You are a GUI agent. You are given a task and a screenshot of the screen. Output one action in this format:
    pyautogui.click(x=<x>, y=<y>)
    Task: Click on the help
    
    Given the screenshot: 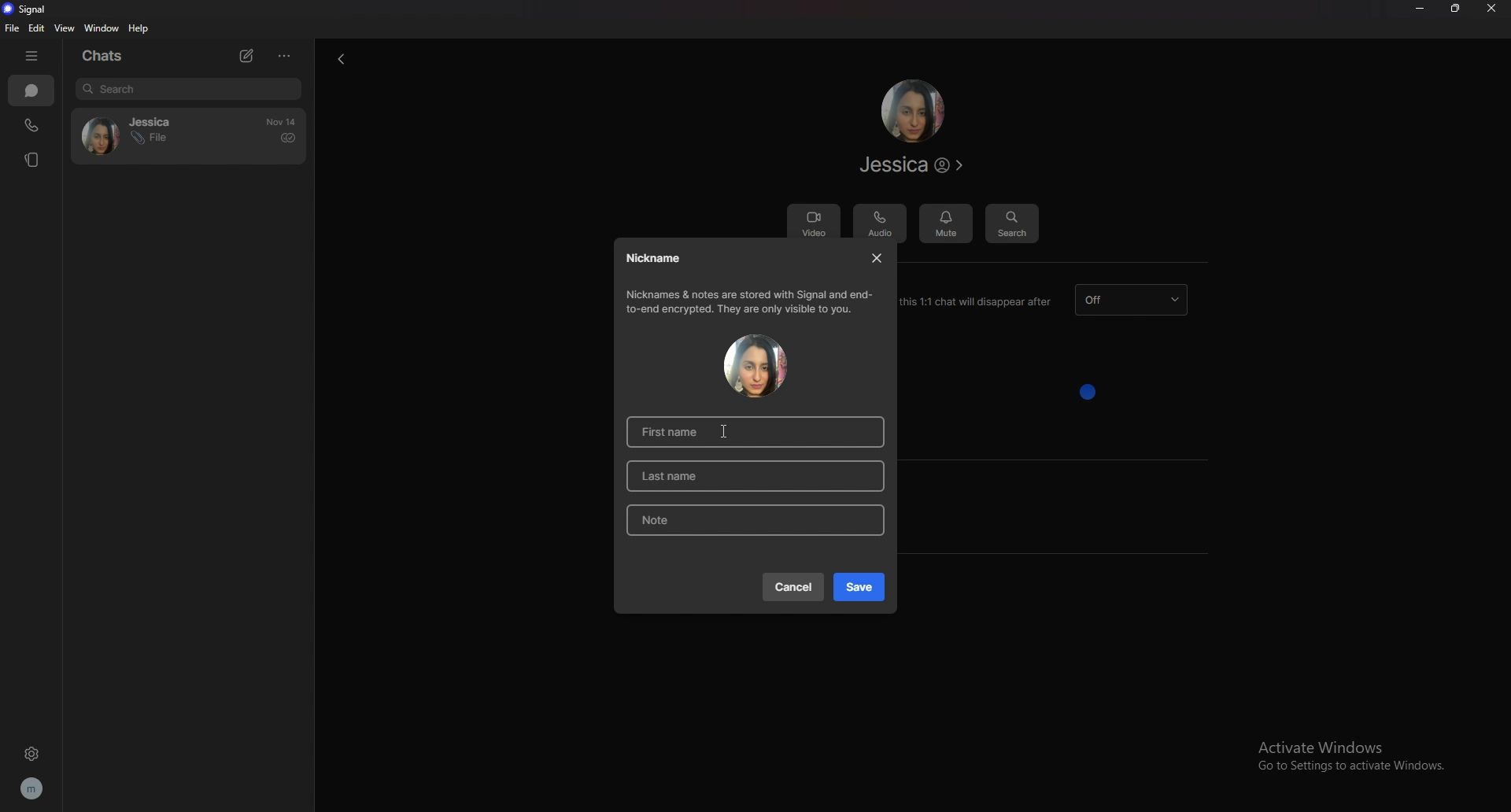 What is the action you would take?
    pyautogui.click(x=138, y=29)
    